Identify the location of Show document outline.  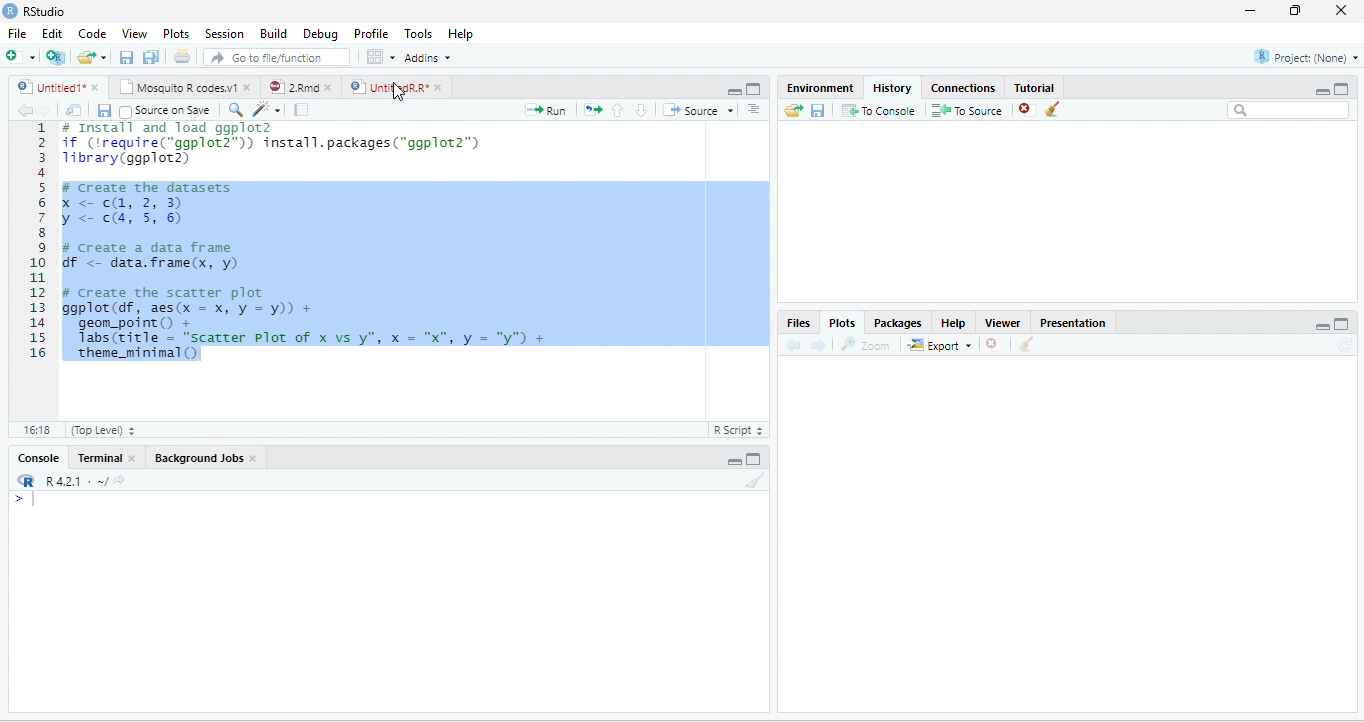
(754, 108).